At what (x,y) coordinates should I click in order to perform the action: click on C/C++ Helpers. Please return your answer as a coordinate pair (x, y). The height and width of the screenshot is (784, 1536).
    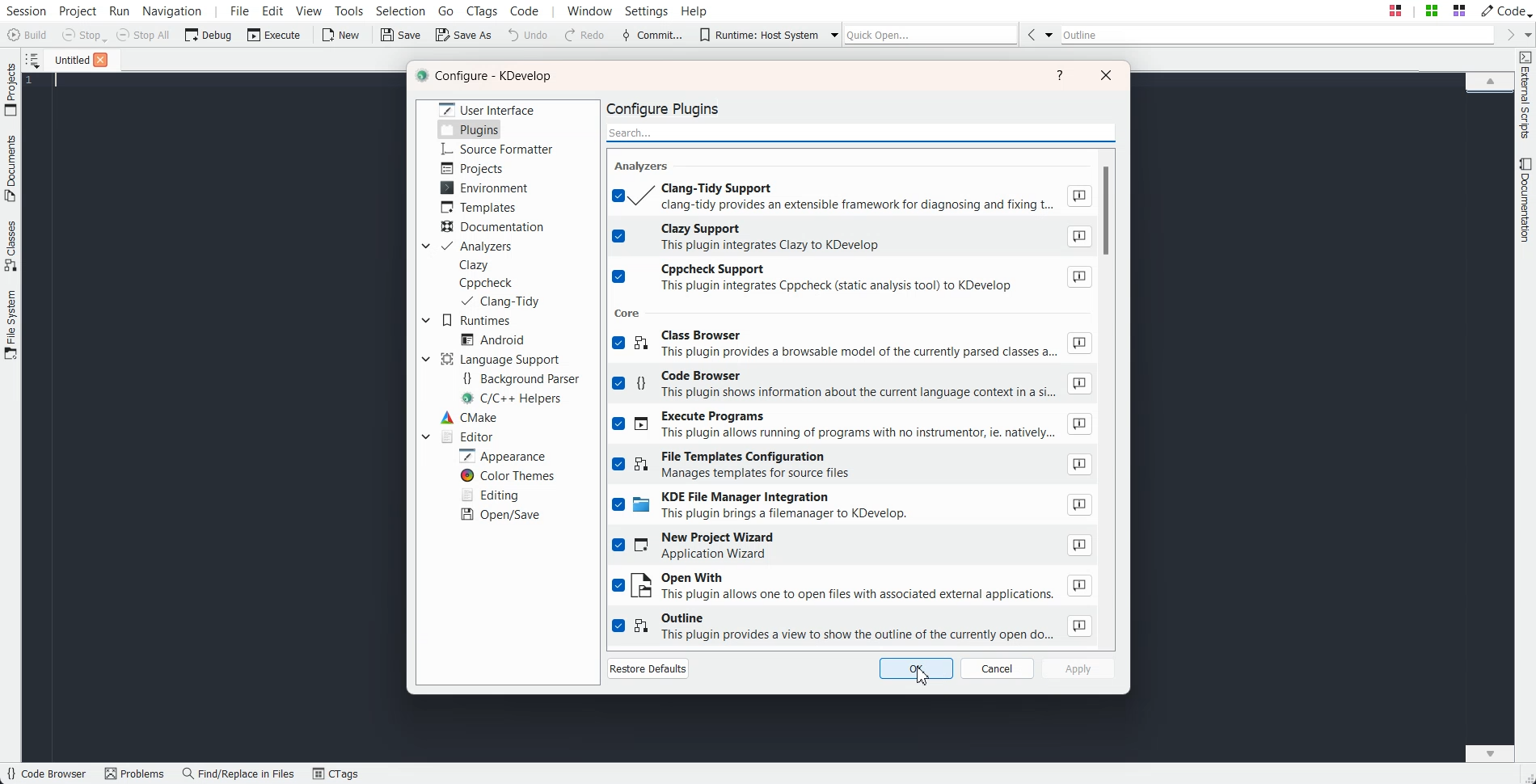
    Looking at the image, I should click on (513, 399).